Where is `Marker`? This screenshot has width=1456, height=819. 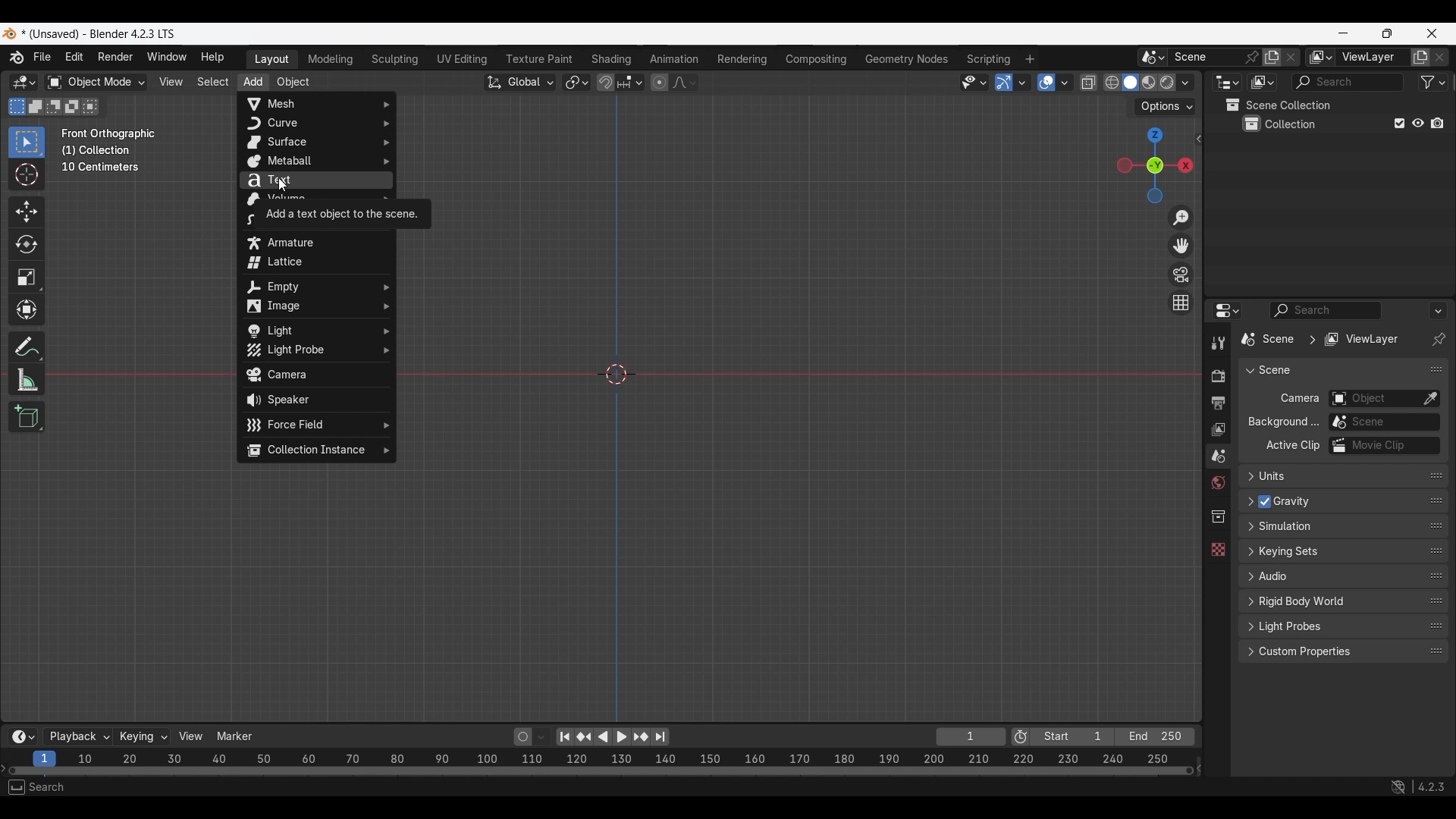
Marker is located at coordinates (235, 736).